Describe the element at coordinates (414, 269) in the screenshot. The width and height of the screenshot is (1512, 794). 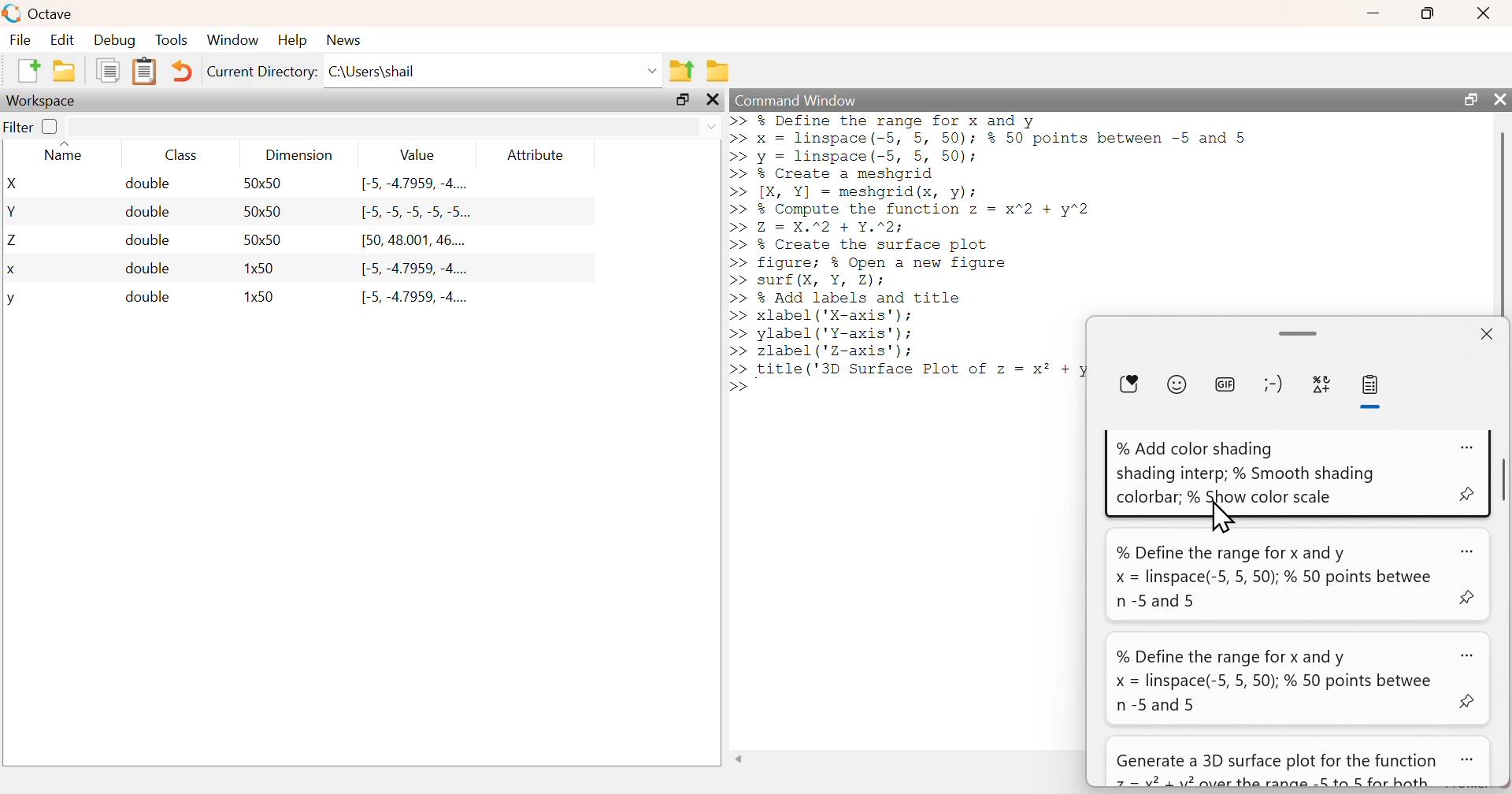
I see `[-5,-4.7959, 4....` at that location.